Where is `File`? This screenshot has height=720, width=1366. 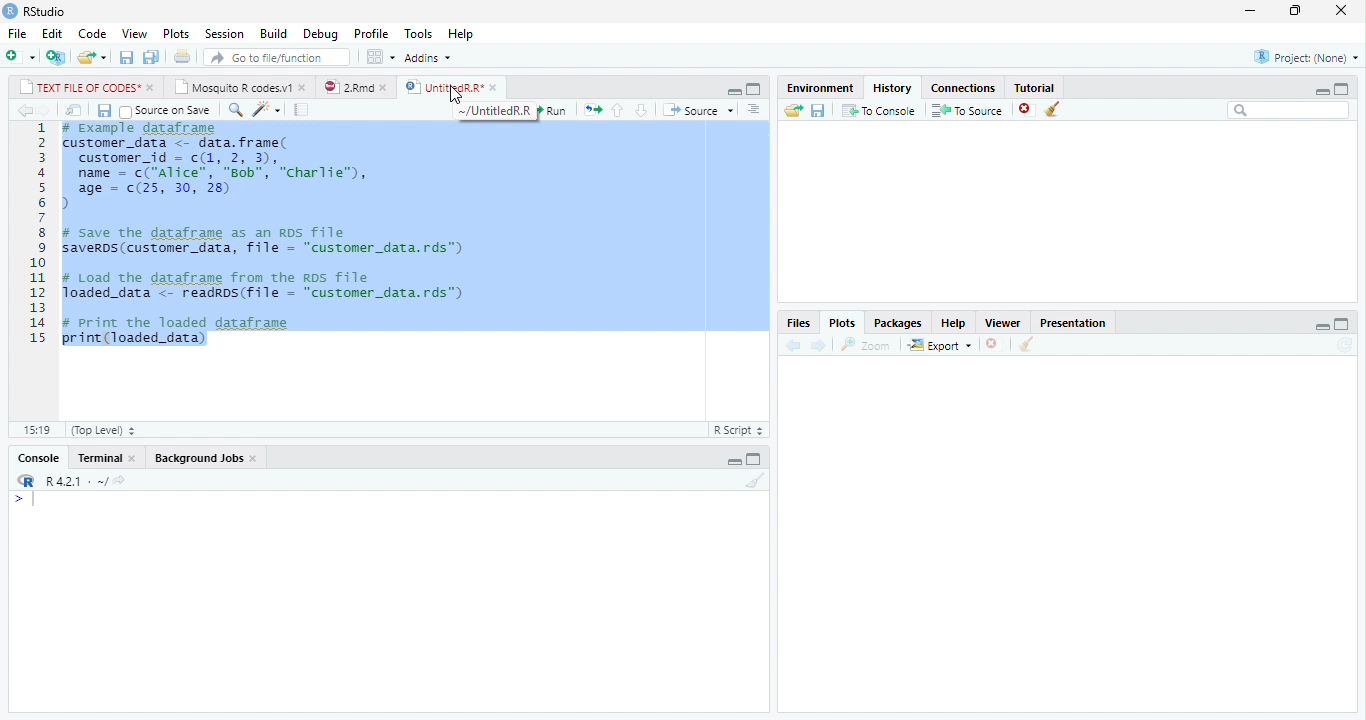 File is located at coordinates (17, 33).